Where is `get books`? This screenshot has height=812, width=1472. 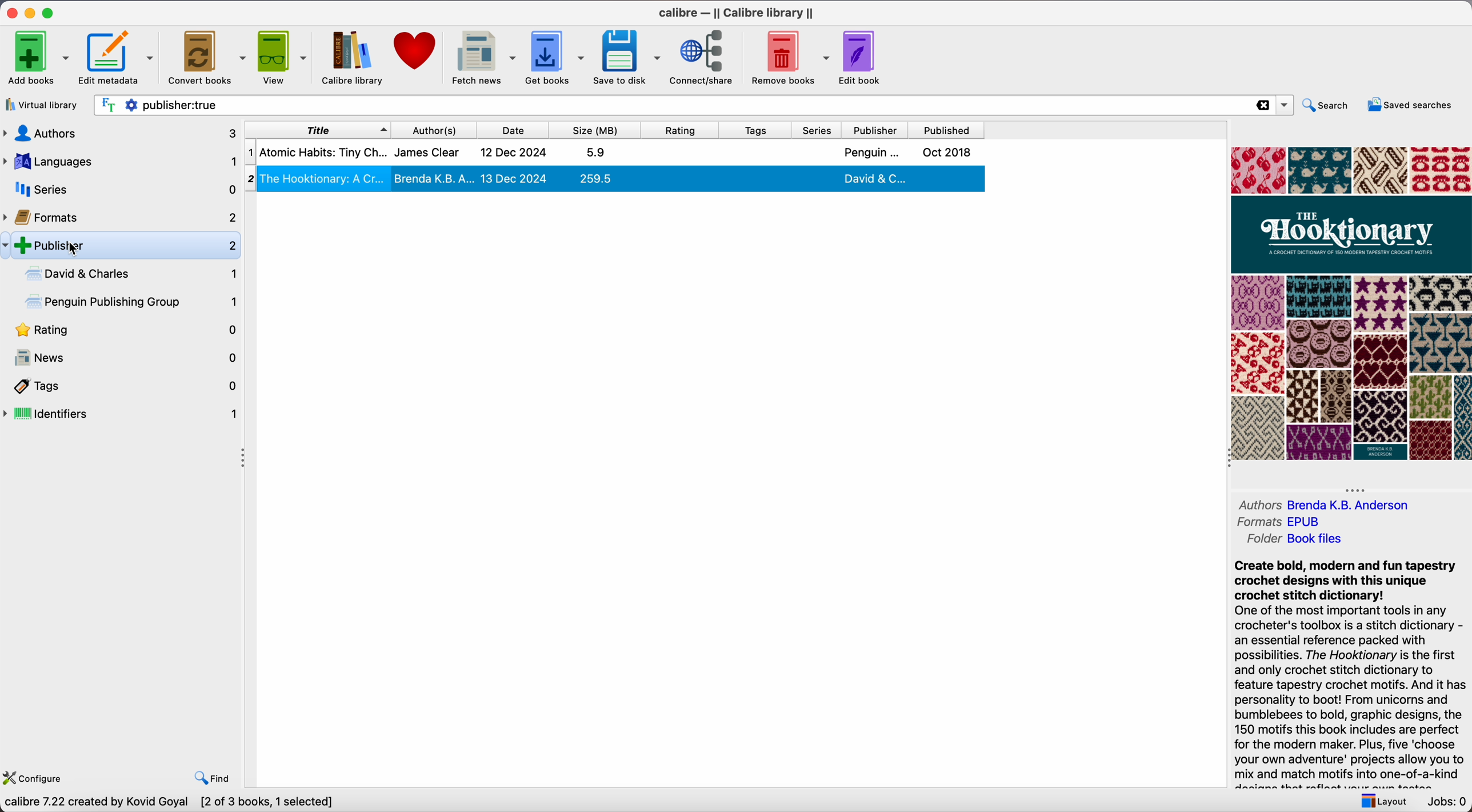 get books is located at coordinates (557, 57).